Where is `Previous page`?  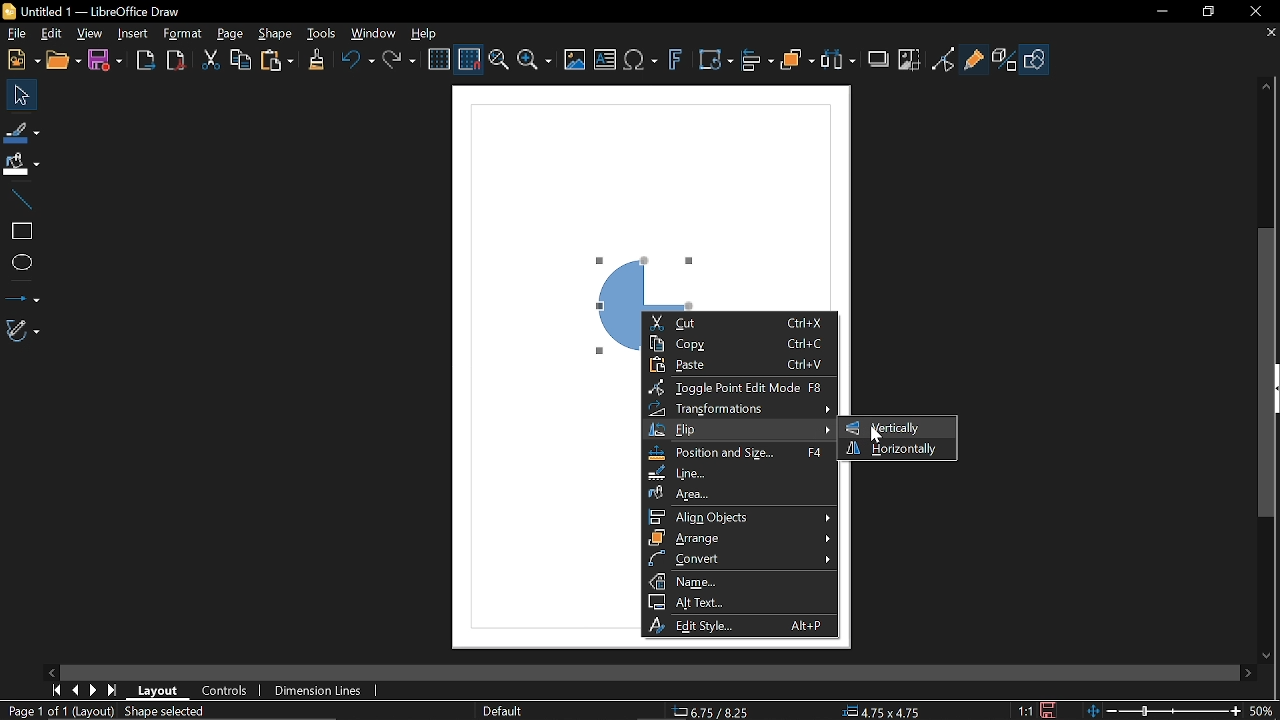 Previous page is located at coordinates (75, 690).